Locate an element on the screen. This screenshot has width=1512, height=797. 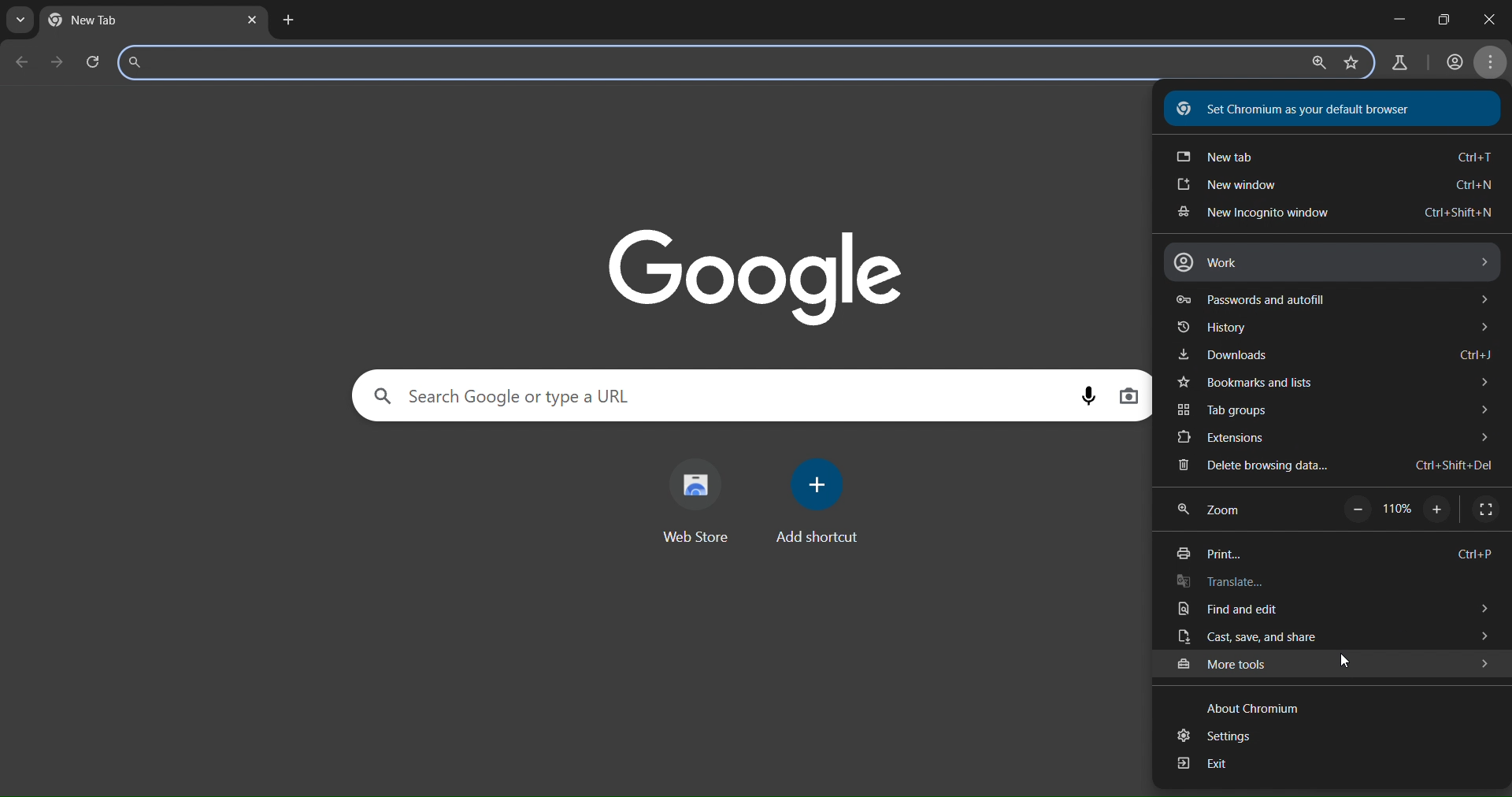
full screen is located at coordinates (1485, 509).